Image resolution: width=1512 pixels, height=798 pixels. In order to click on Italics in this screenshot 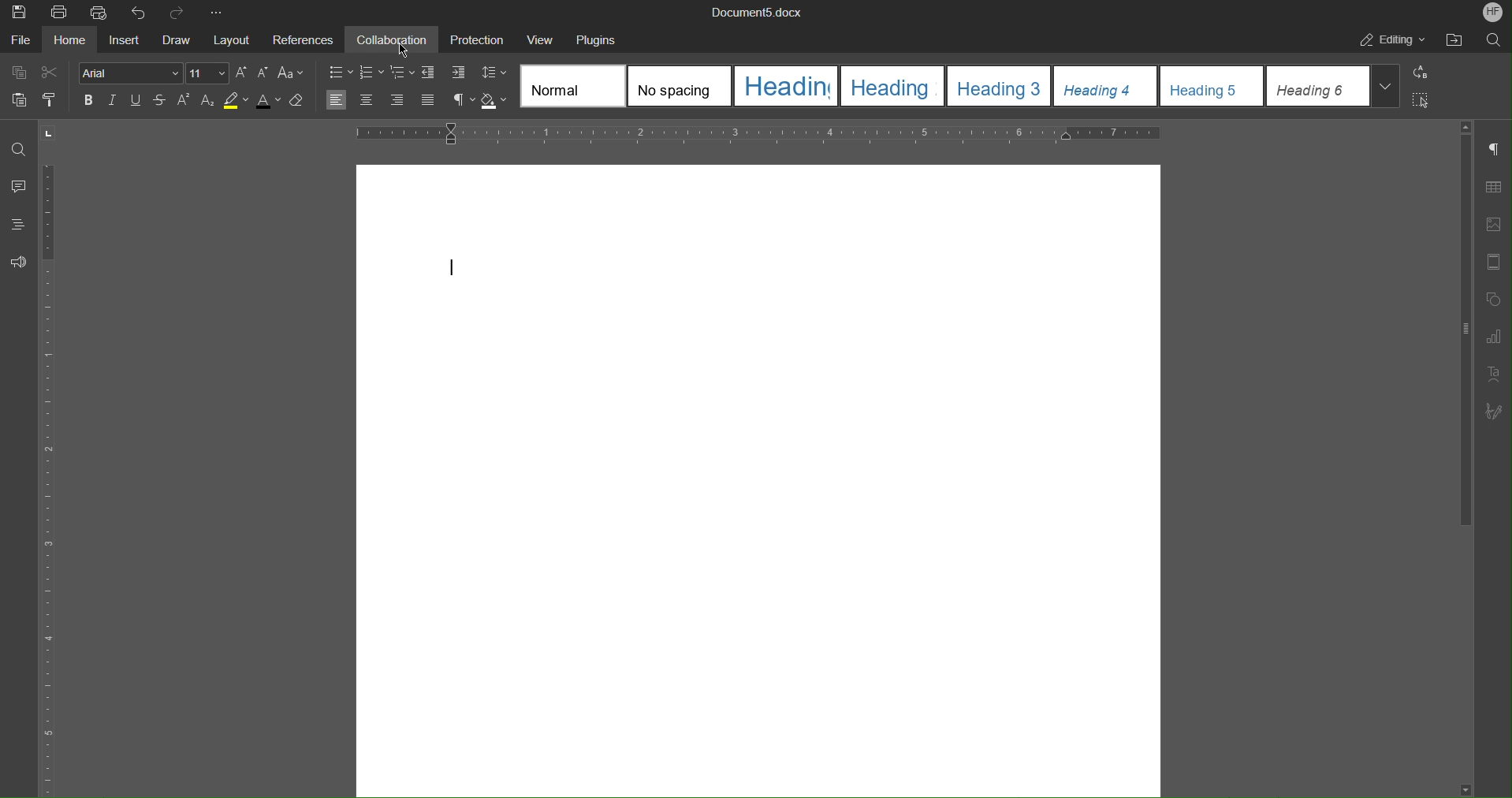, I will do `click(117, 104)`.